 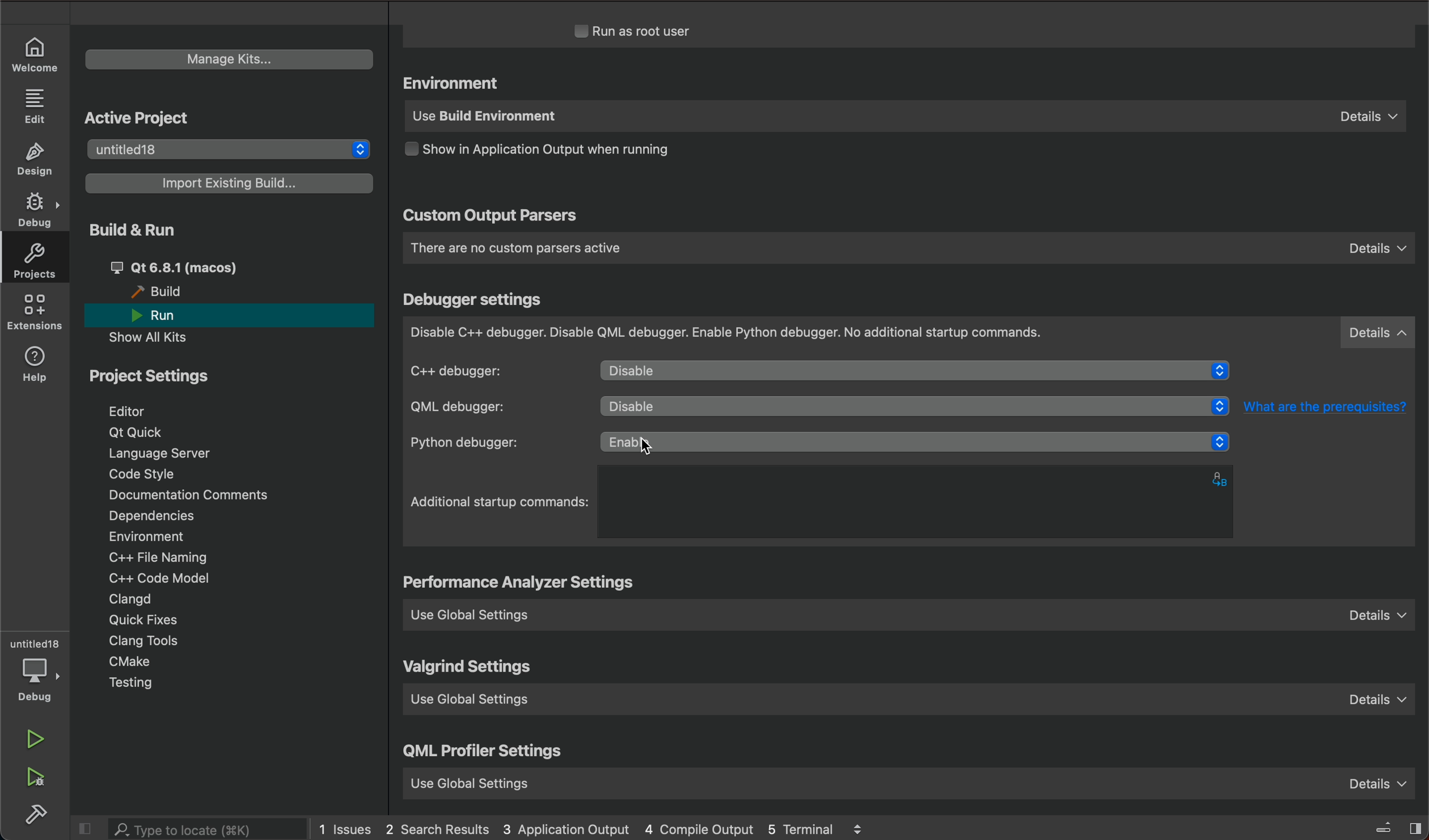 I want to click on use build , so click(x=902, y=118).